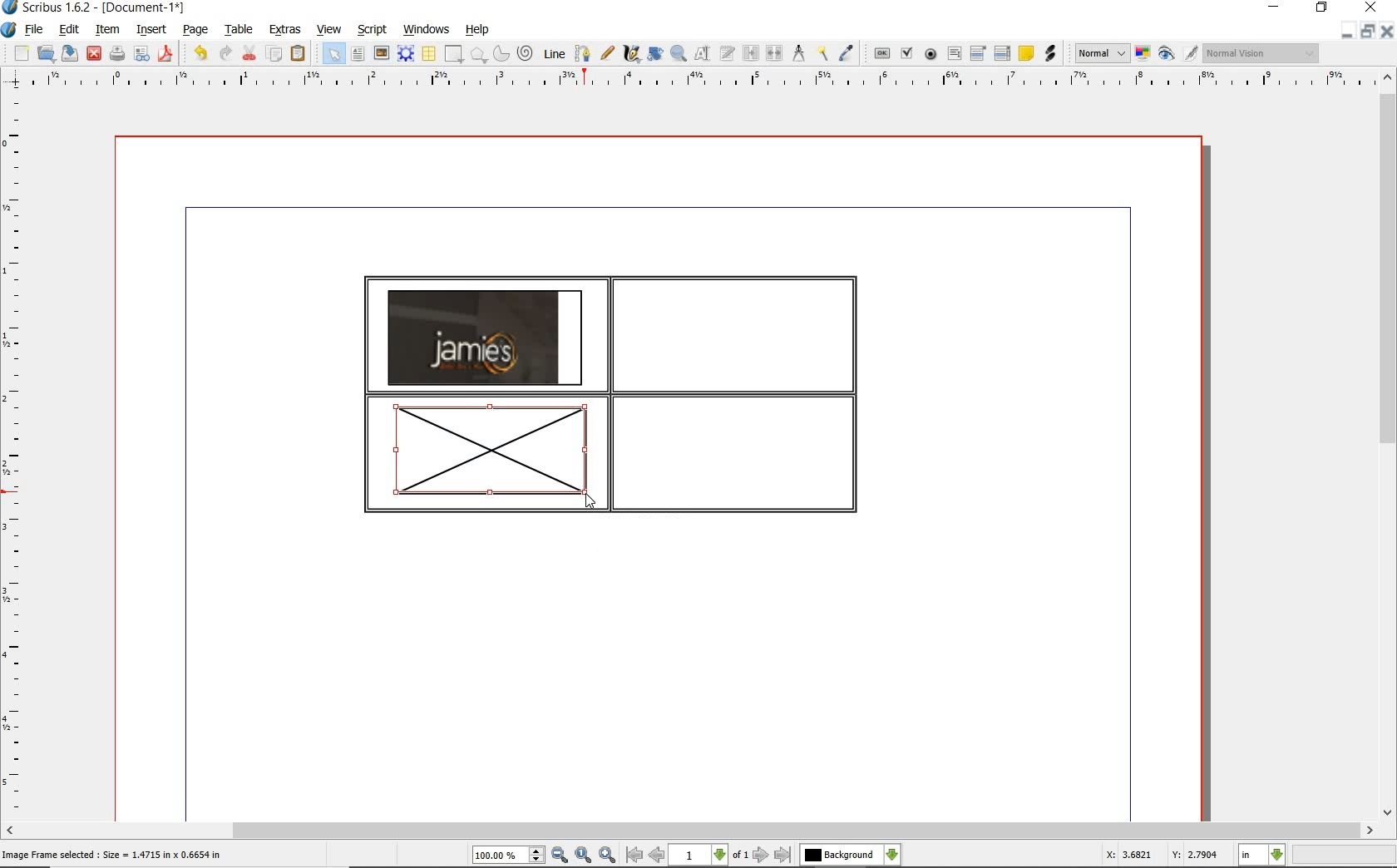 This screenshot has width=1397, height=868. Describe the element at coordinates (582, 53) in the screenshot. I see `bezier curve` at that location.